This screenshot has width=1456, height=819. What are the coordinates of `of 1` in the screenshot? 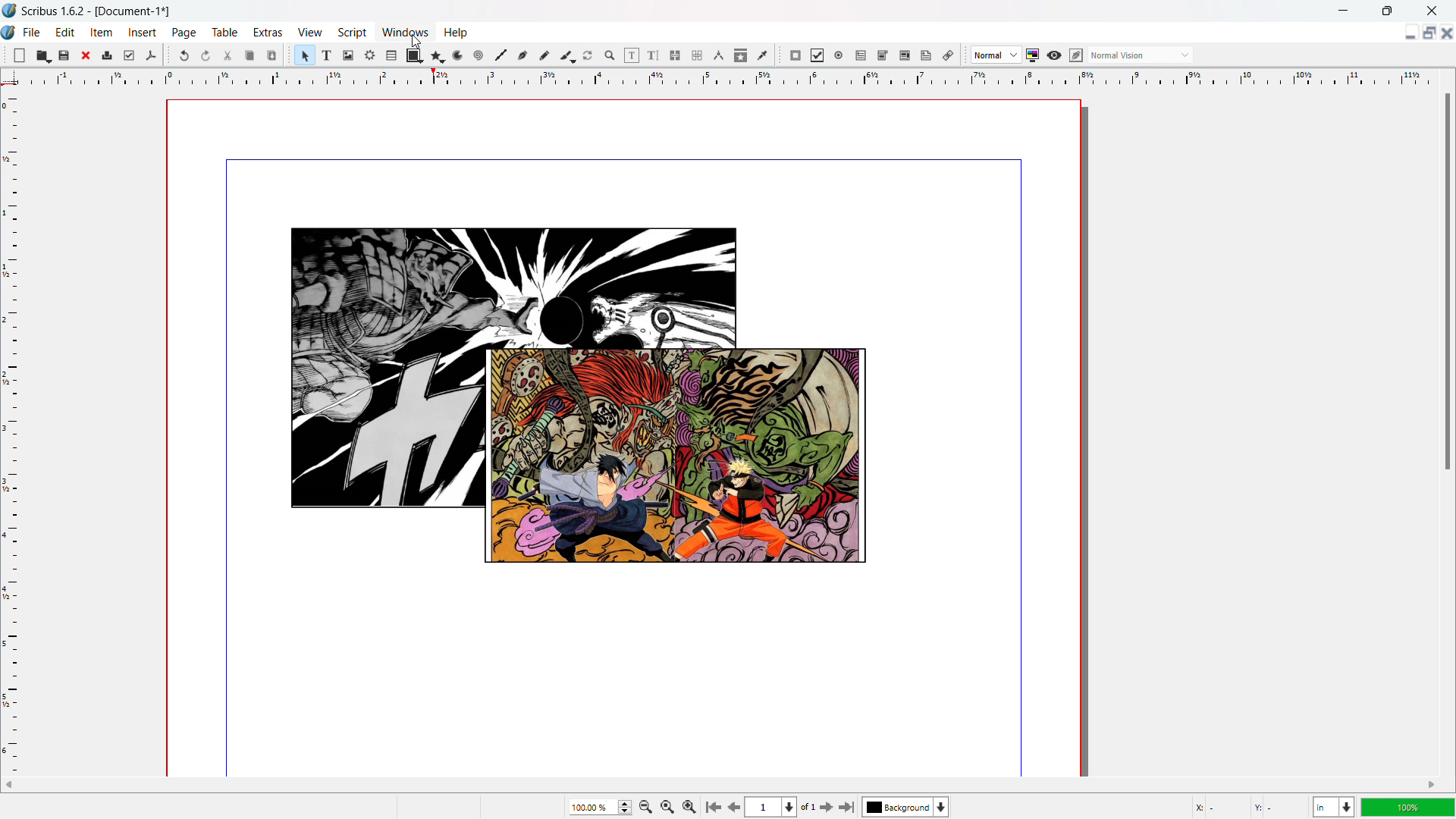 It's located at (808, 808).